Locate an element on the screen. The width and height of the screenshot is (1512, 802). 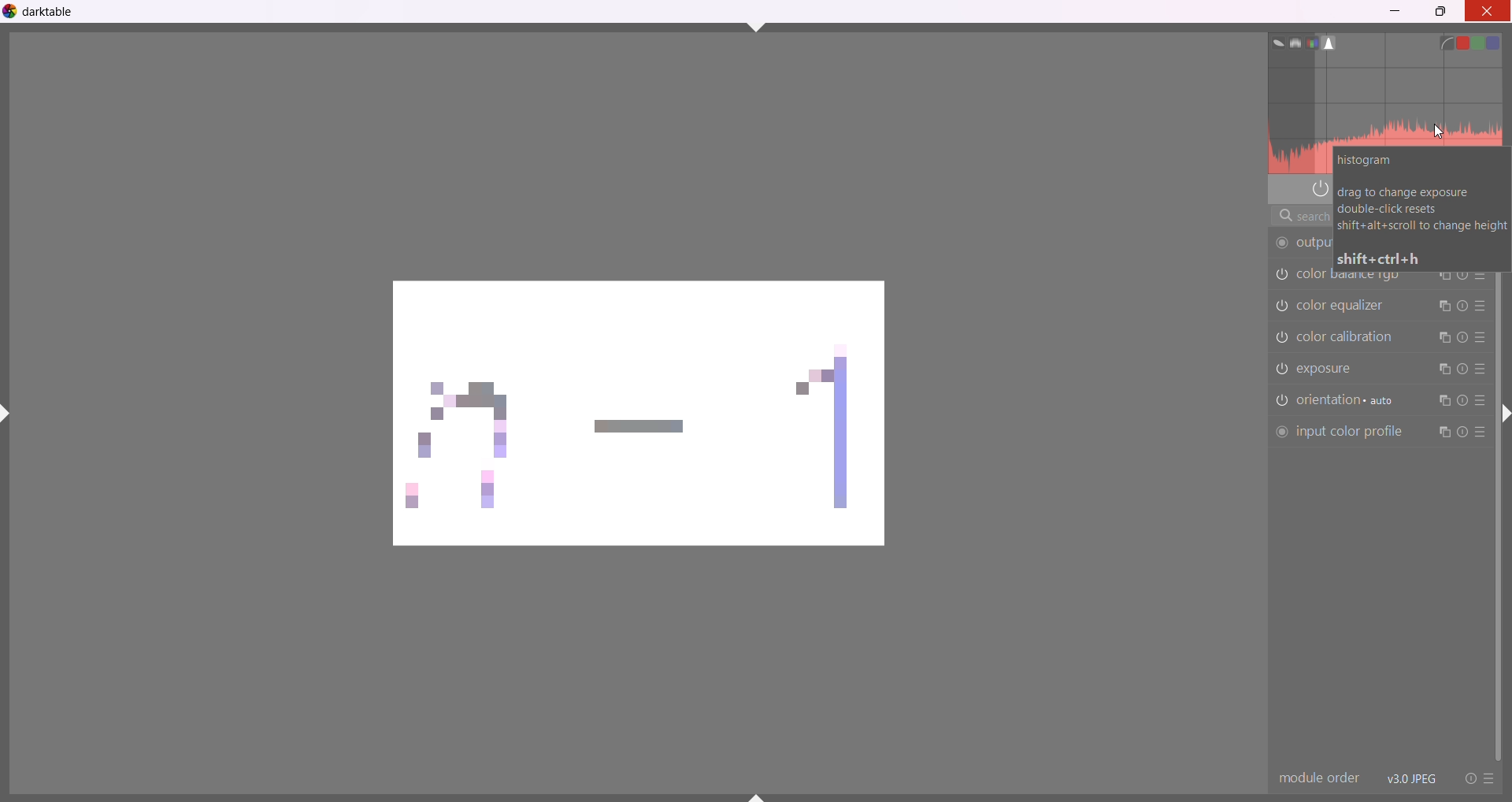
instance is located at coordinates (1440, 403).